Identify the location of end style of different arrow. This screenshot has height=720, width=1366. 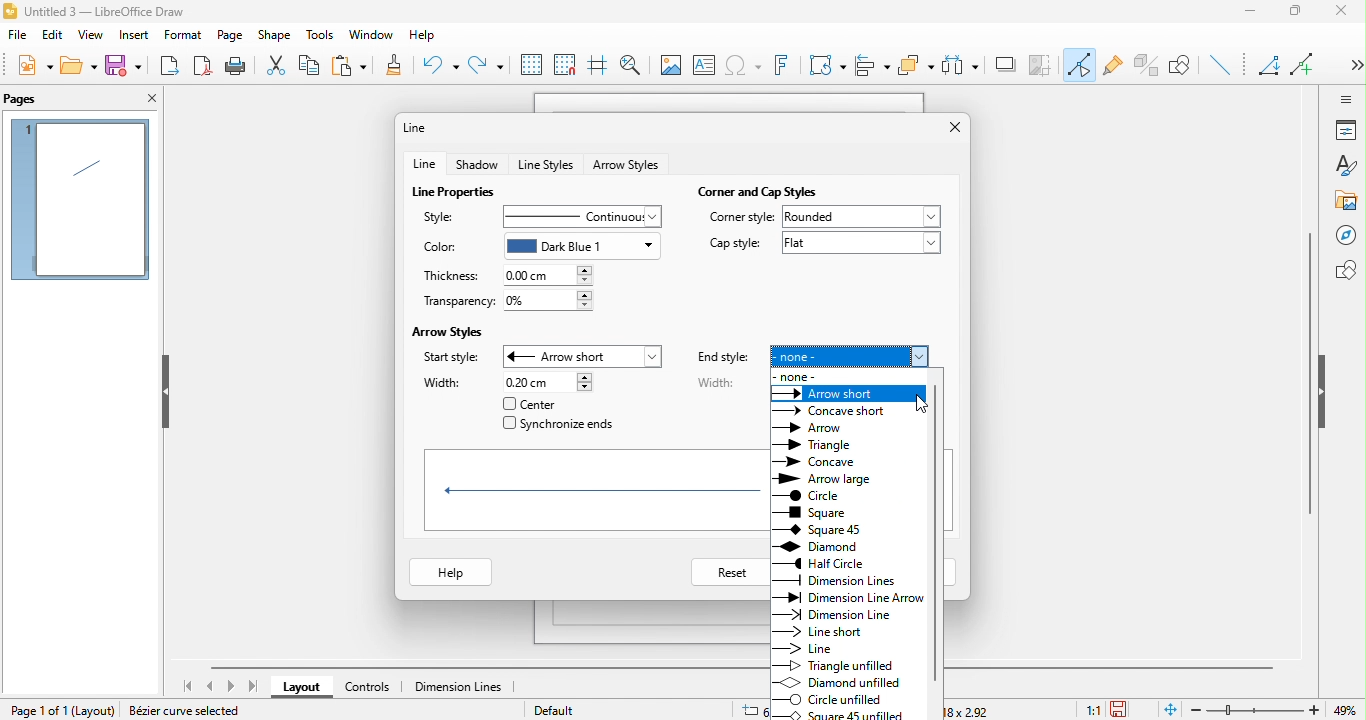
(849, 561).